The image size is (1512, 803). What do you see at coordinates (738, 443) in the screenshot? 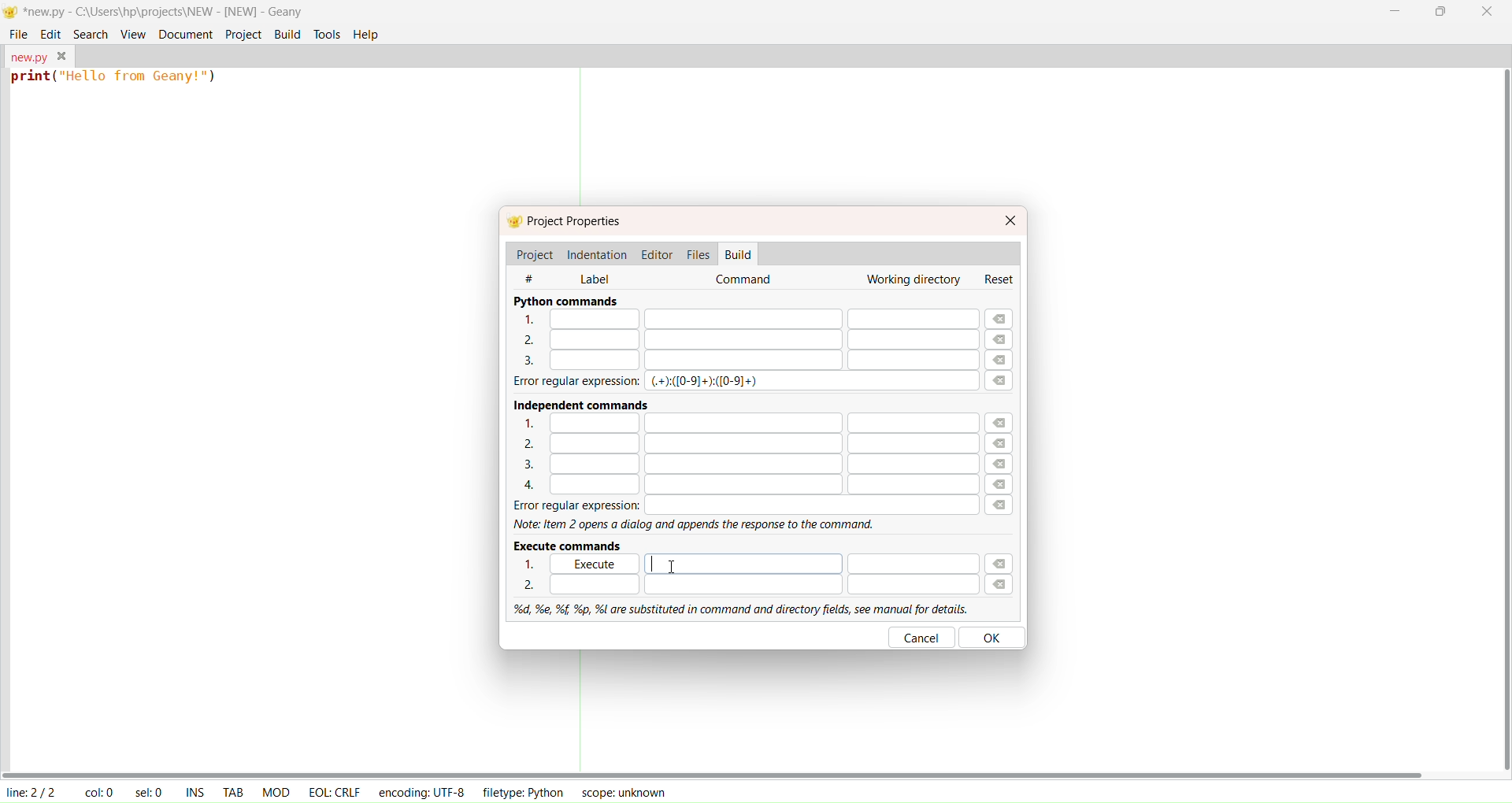
I see `2.` at bounding box center [738, 443].